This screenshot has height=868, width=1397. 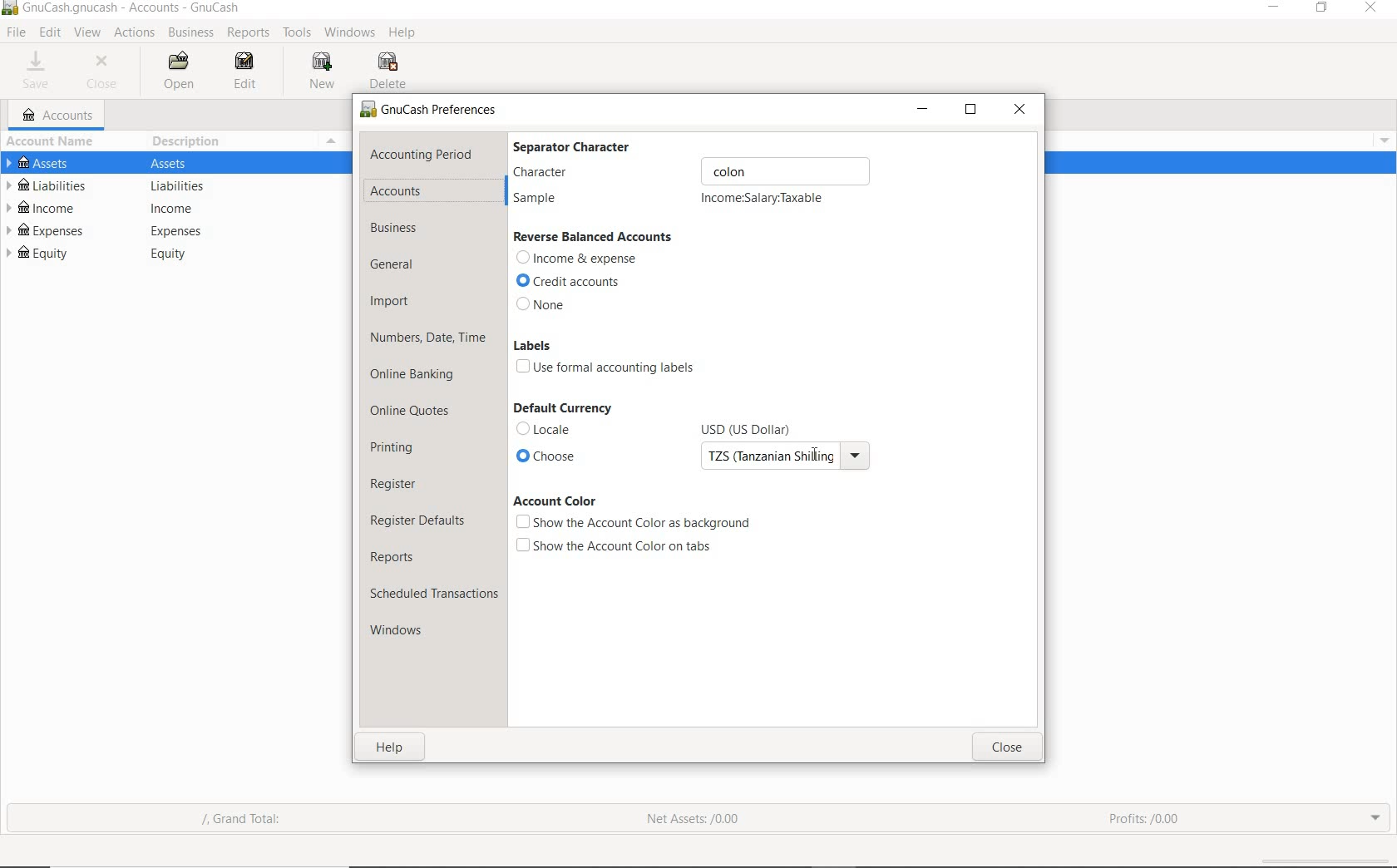 What do you see at coordinates (391, 303) in the screenshot?
I see `import` at bounding box center [391, 303].